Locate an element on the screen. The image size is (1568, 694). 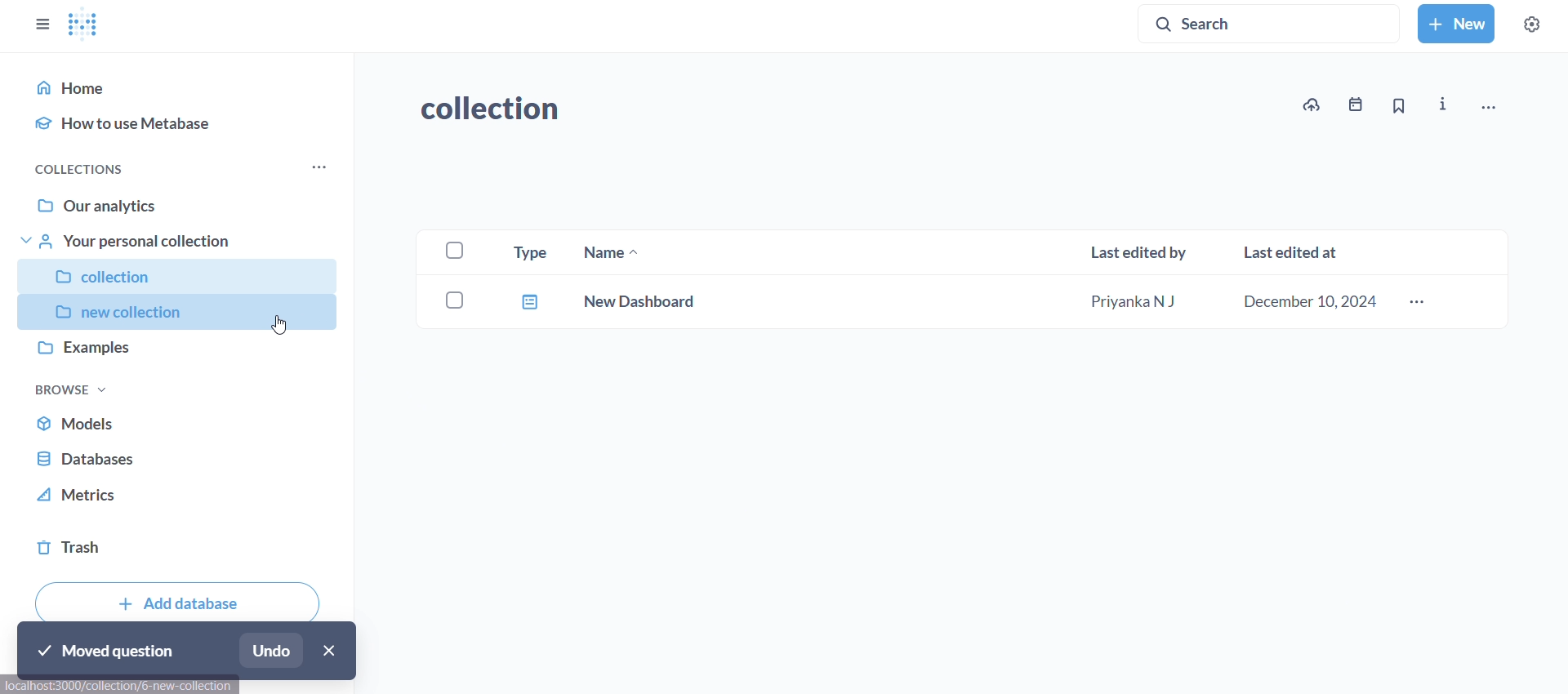
close sidebar is located at coordinates (41, 24).